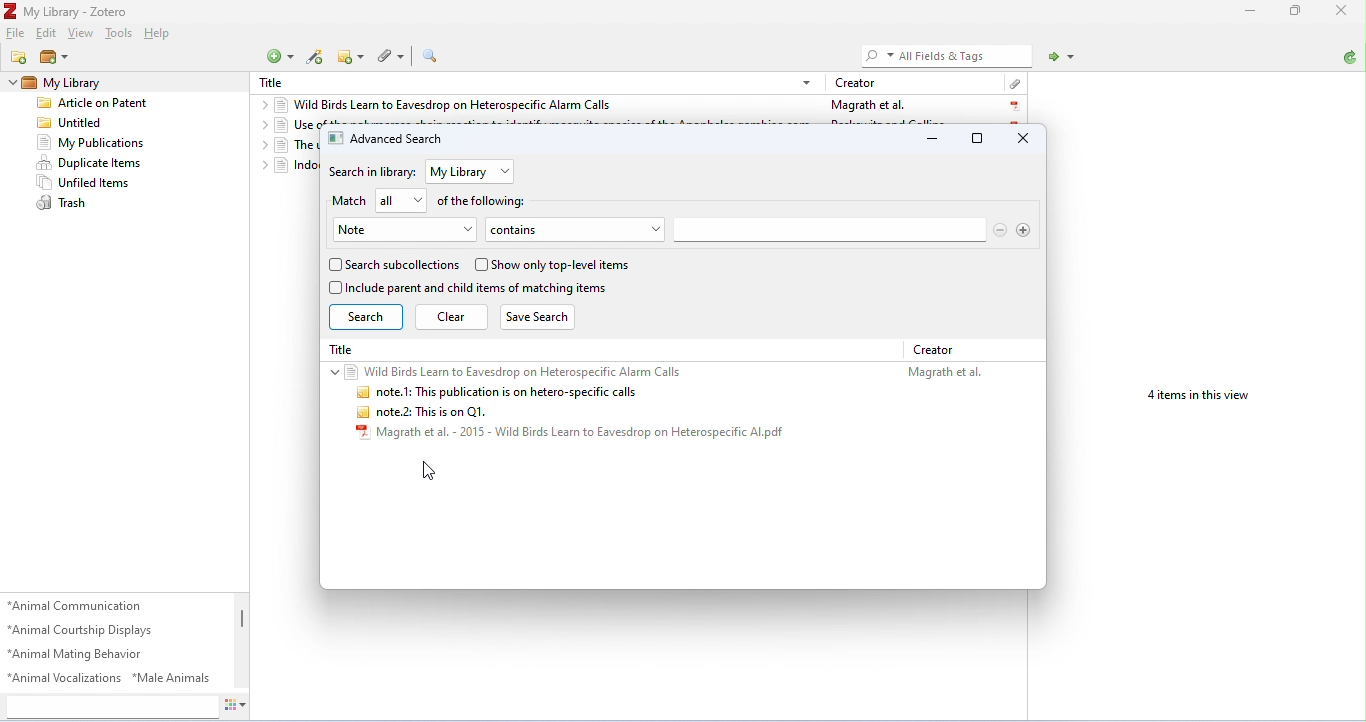 The width and height of the screenshot is (1366, 722). What do you see at coordinates (262, 104) in the screenshot?
I see `drop-down` at bounding box center [262, 104].